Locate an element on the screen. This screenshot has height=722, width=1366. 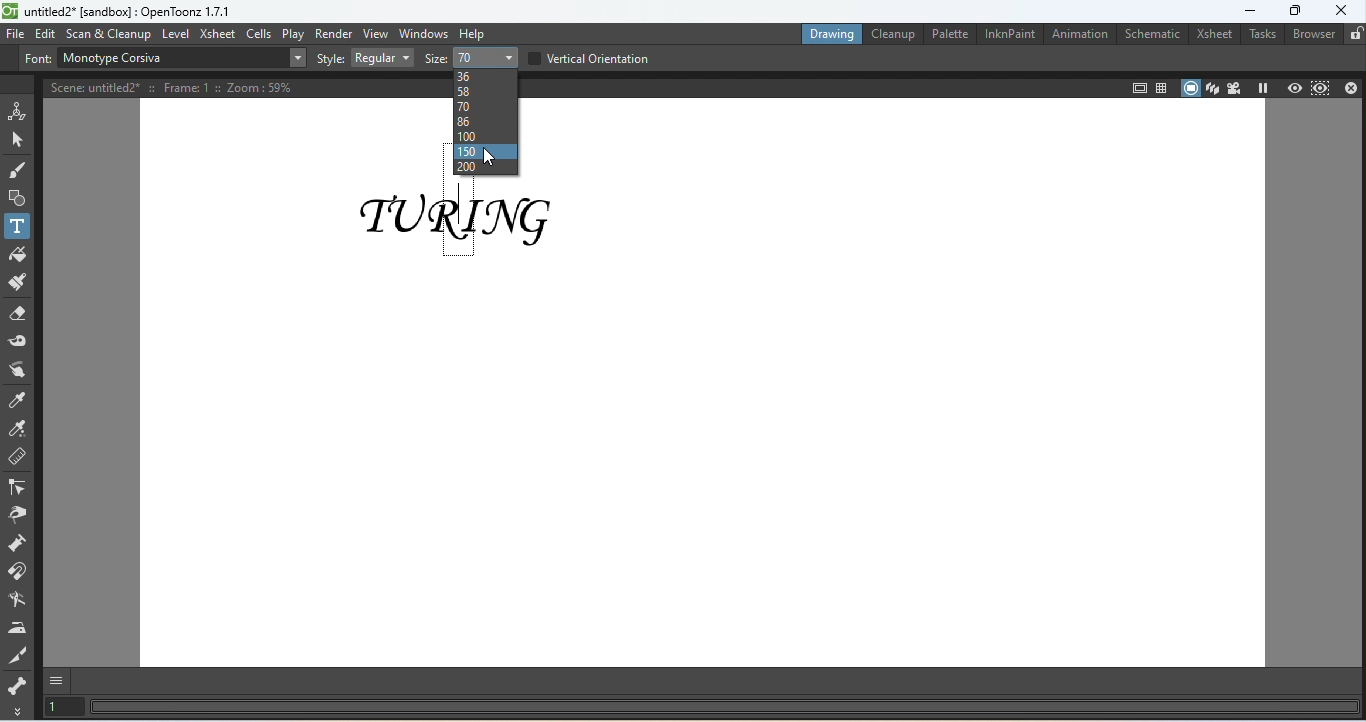
Text box is located at coordinates (169, 58).